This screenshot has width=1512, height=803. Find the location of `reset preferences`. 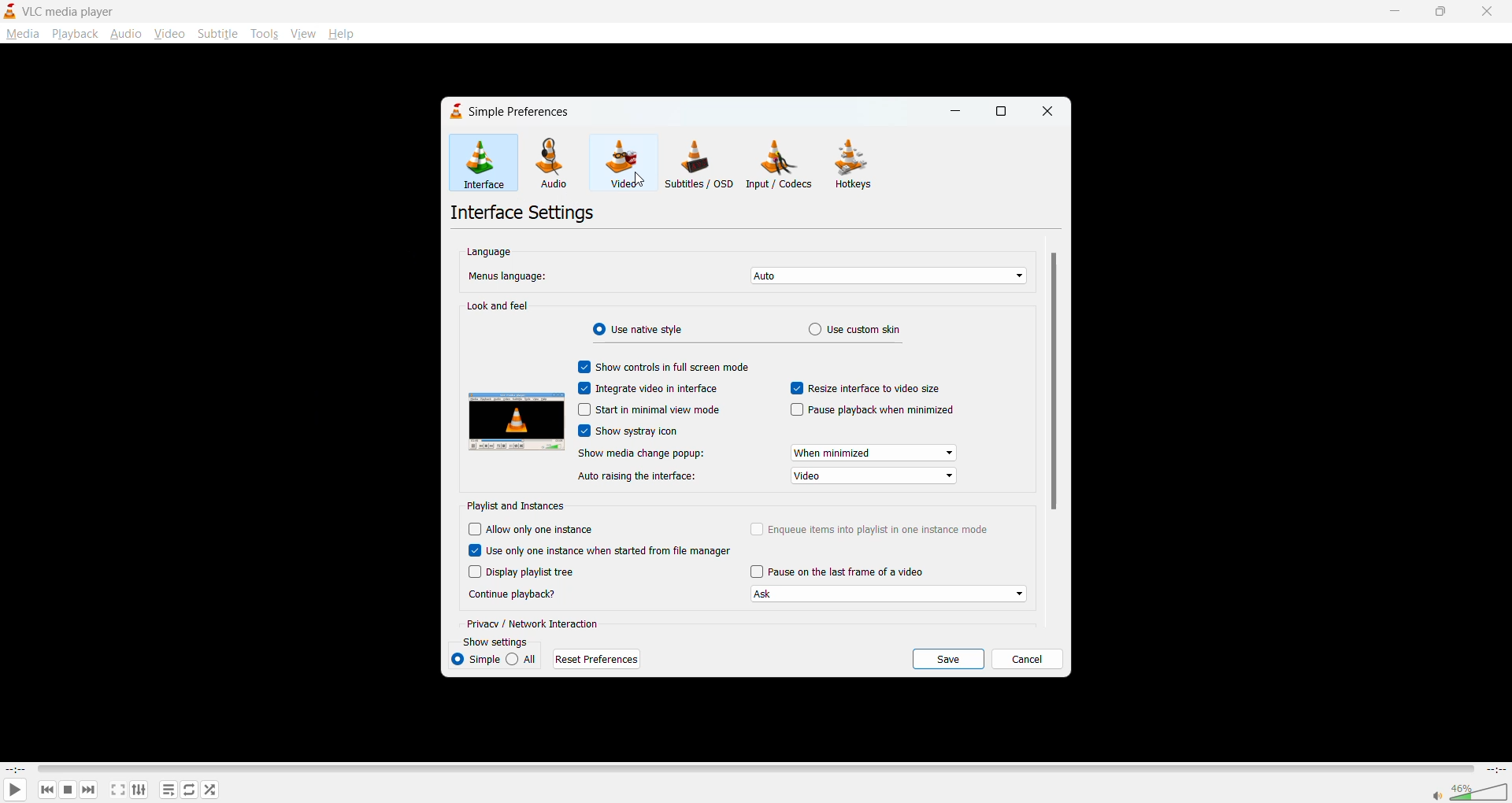

reset preferences is located at coordinates (599, 658).